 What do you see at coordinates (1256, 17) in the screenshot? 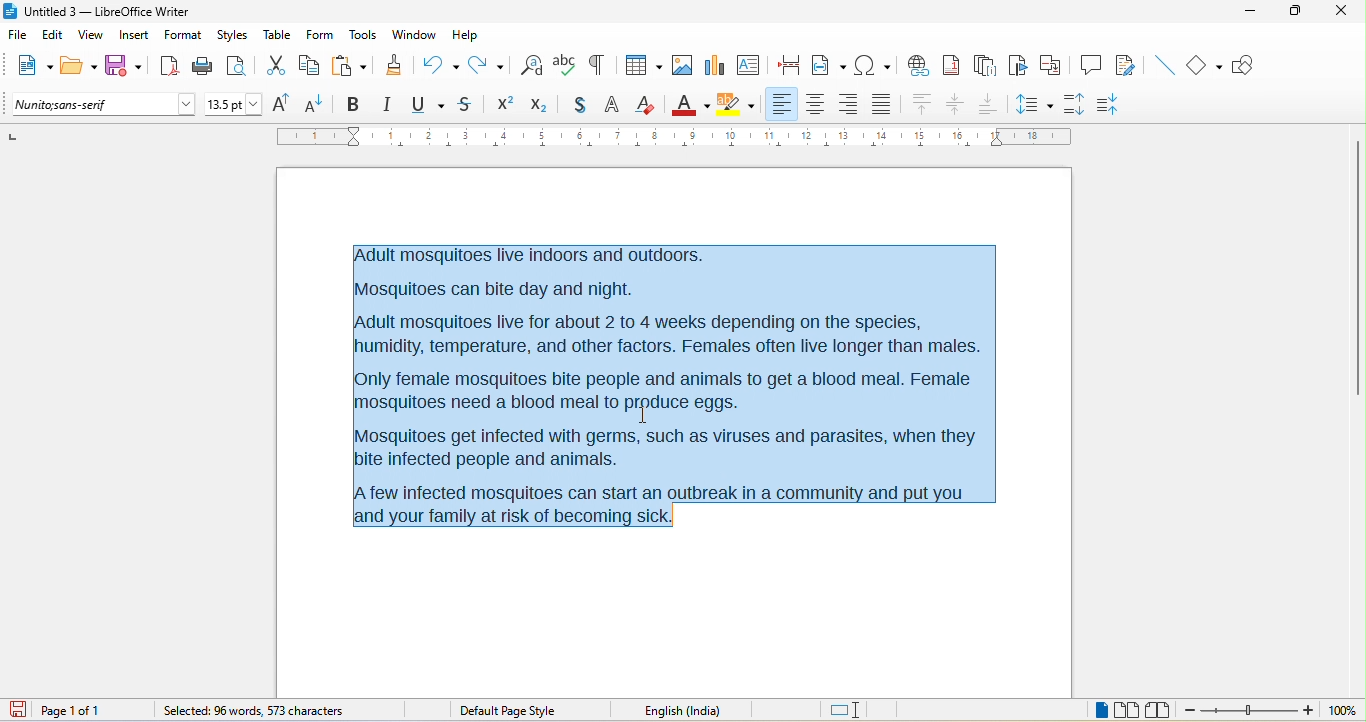
I see `minimize` at bounding box center [1256, 17].